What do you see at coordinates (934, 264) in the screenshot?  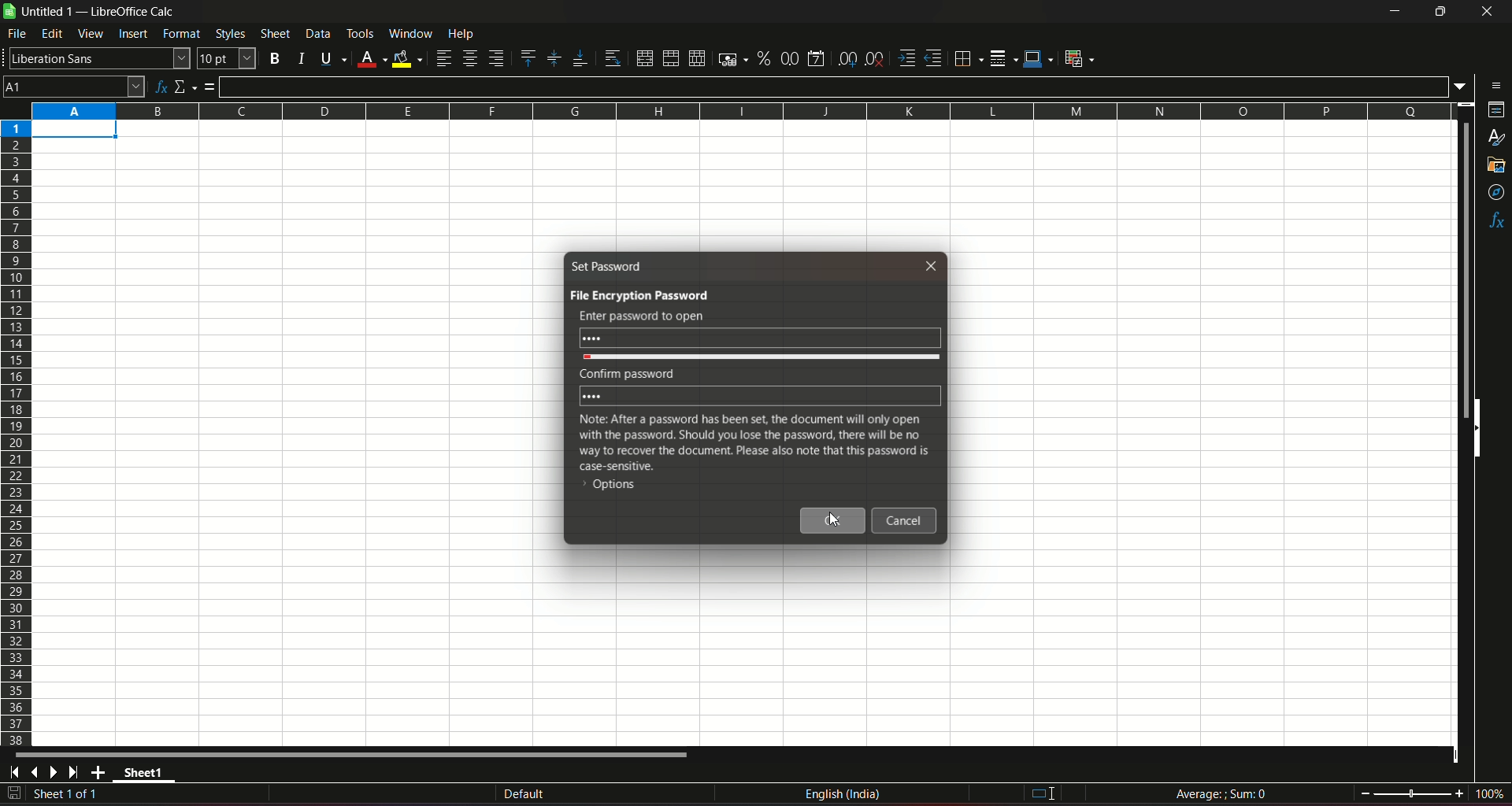 I see `close` at bounding box center [934, 264].